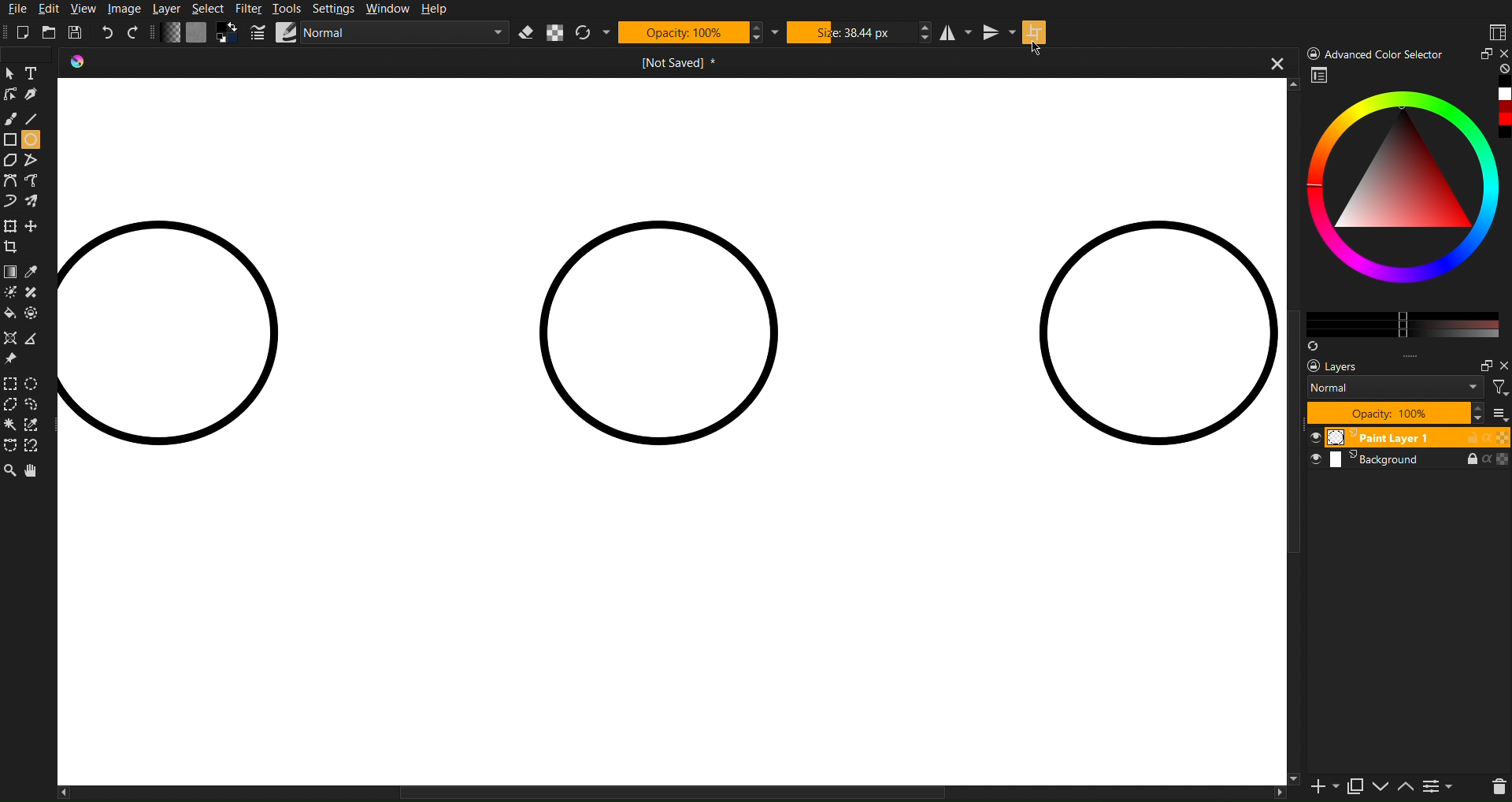 The image size is (1512, 802). What do you see at coordinates (1503, 365) in the screenshot?
I see `` at bounding box center [1503, 365].